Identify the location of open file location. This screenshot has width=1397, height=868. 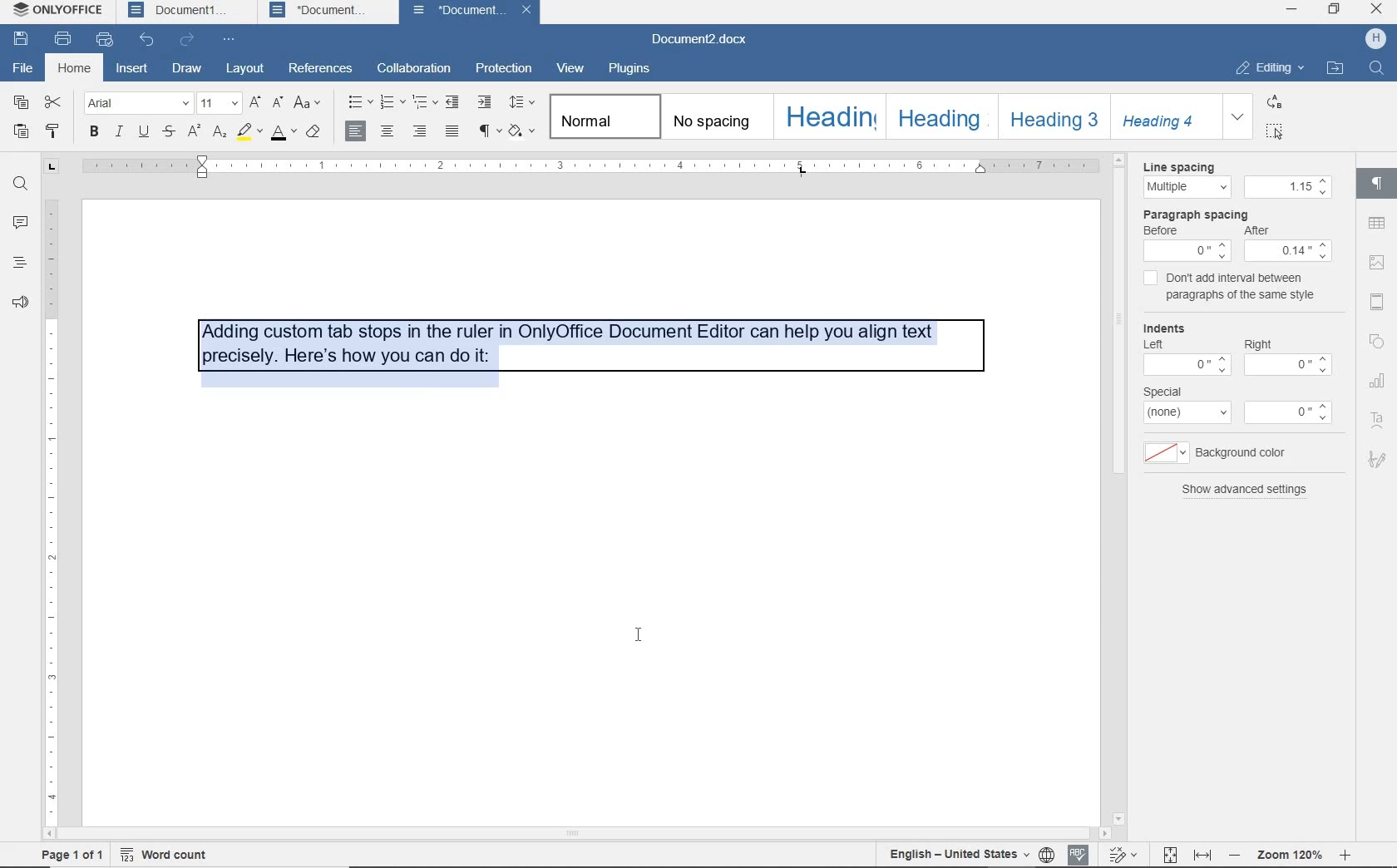
(1335, 68).